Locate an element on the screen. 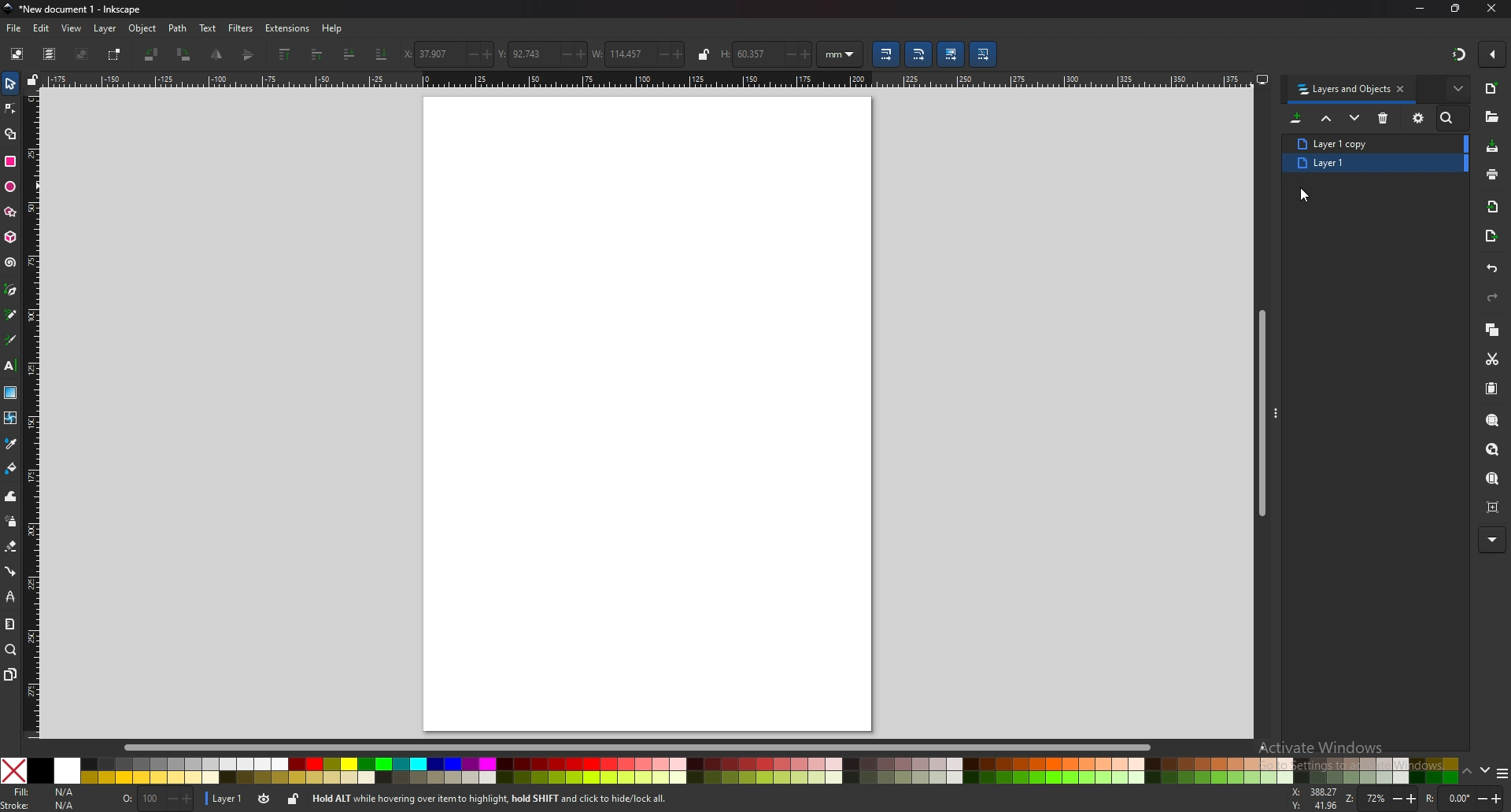  close sidebar is located at coordinates (1401, 88).